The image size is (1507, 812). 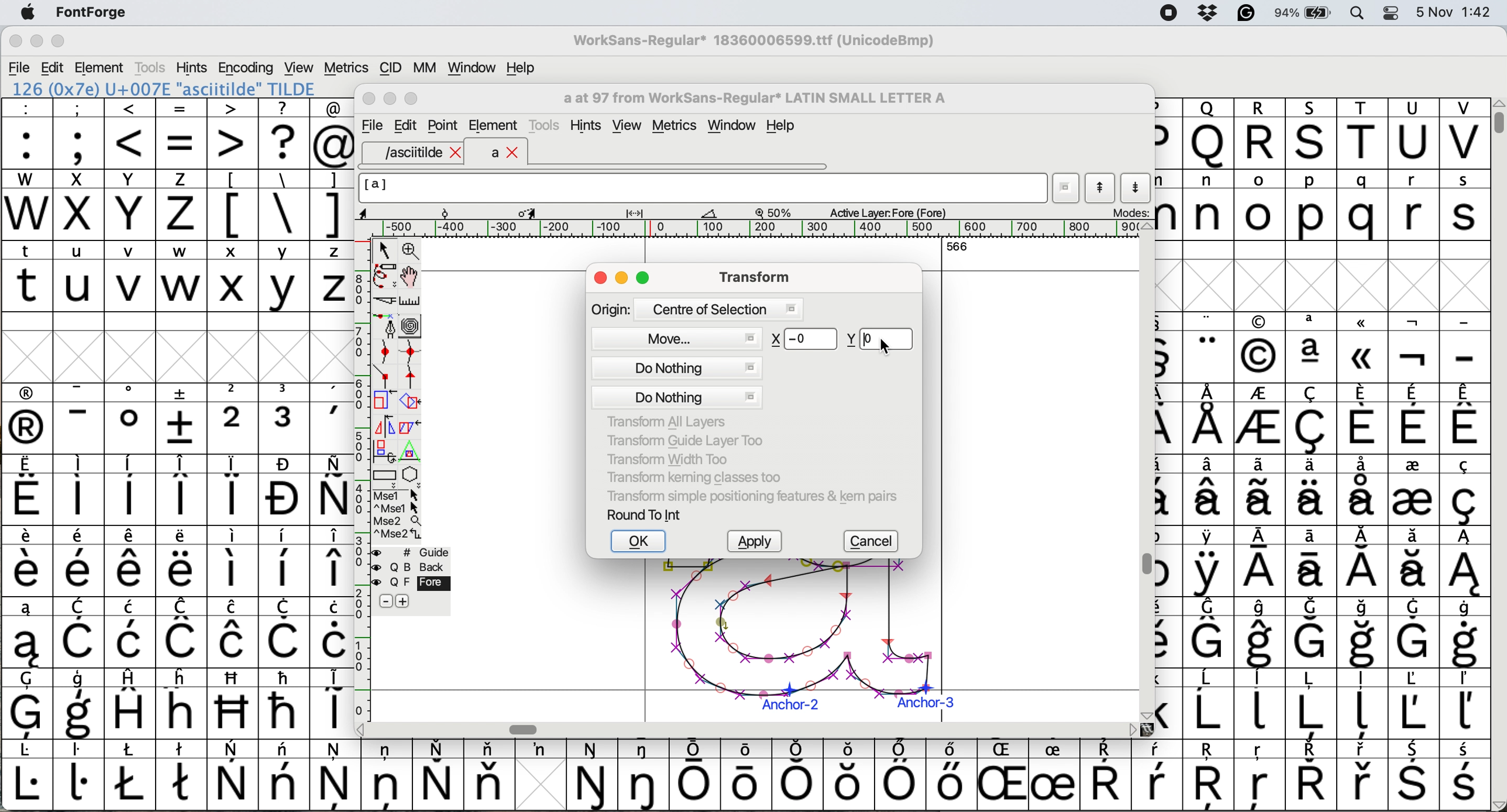 I want to click on symbol, so click(x=1211, y=490).